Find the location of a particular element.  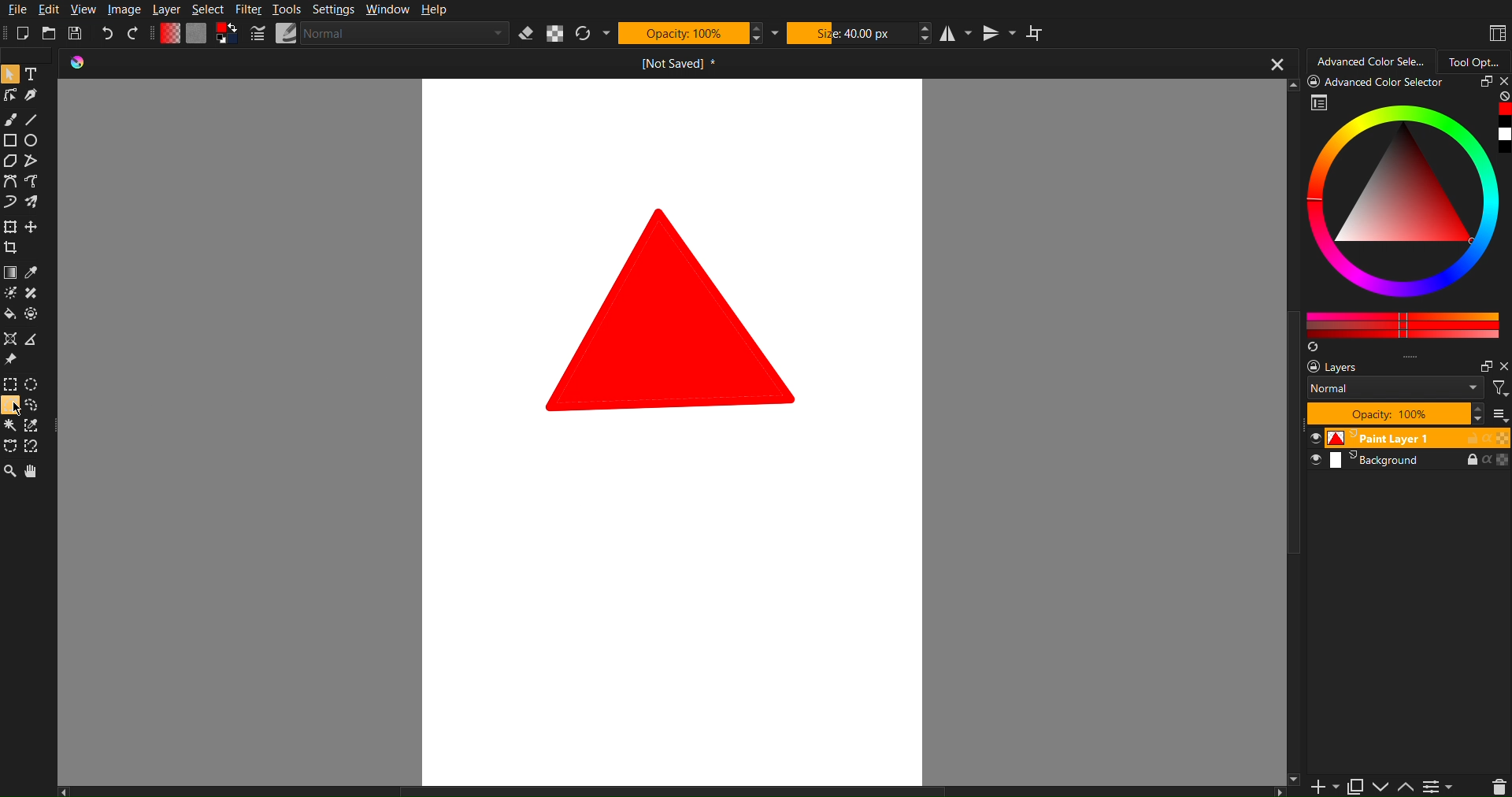

dotted is located at coordinates (34, 315).